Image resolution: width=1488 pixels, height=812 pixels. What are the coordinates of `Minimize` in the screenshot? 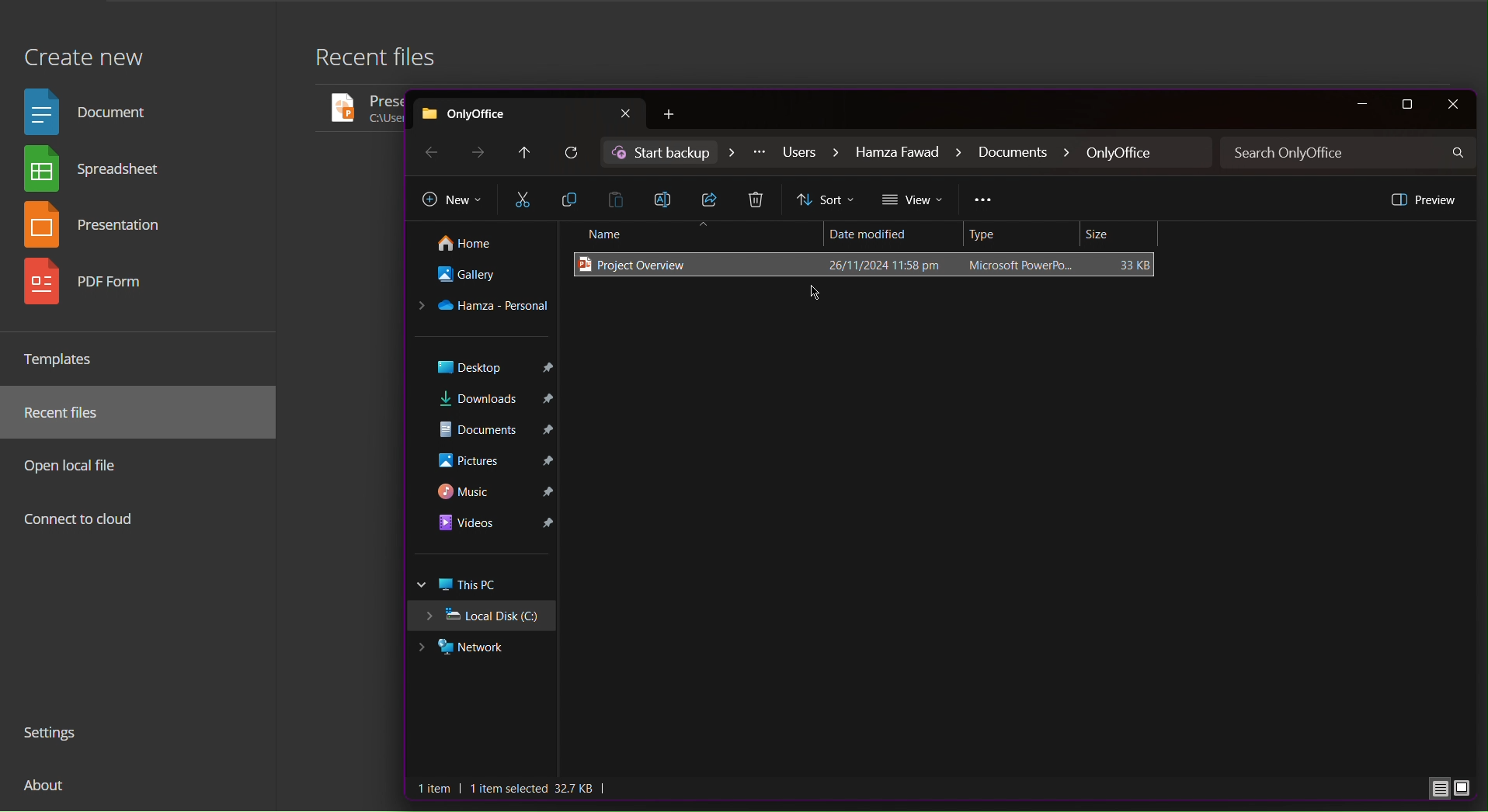 It's located at (1361, 105).